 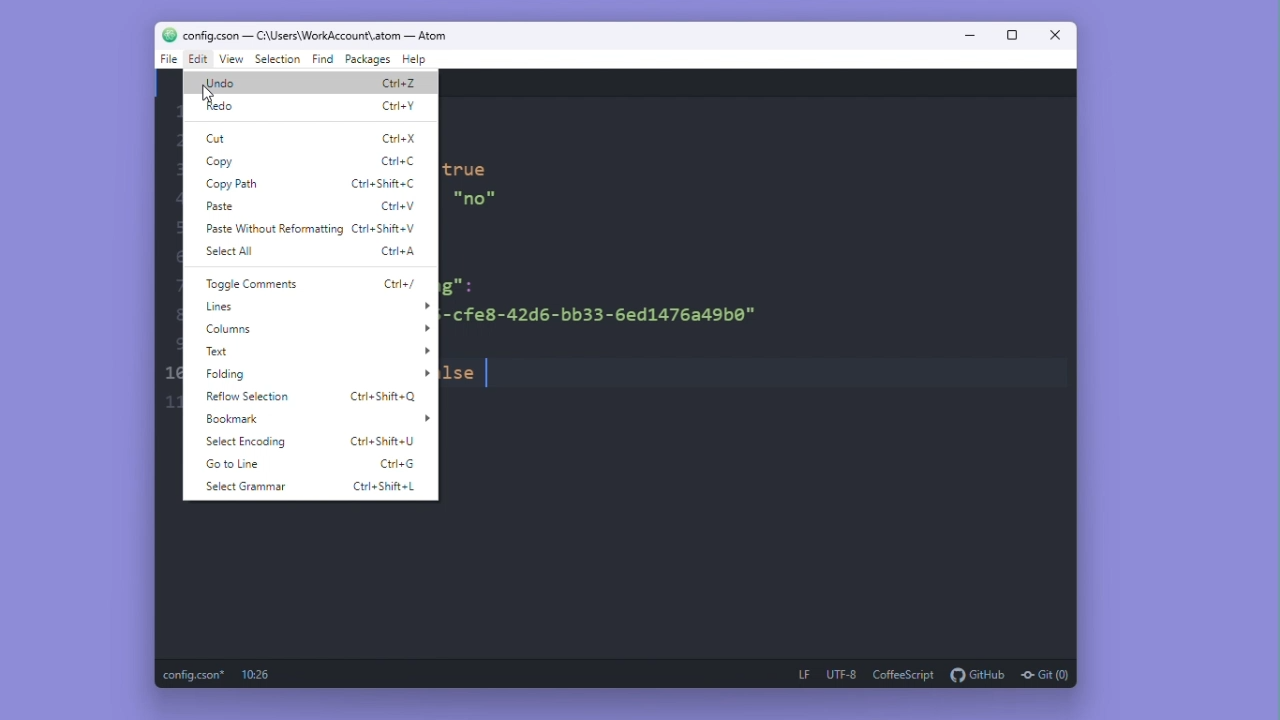 What do you see at coordinates (1046, 673) in the screenshot?
I see `git(0)` at bounding box center [1046, 673].